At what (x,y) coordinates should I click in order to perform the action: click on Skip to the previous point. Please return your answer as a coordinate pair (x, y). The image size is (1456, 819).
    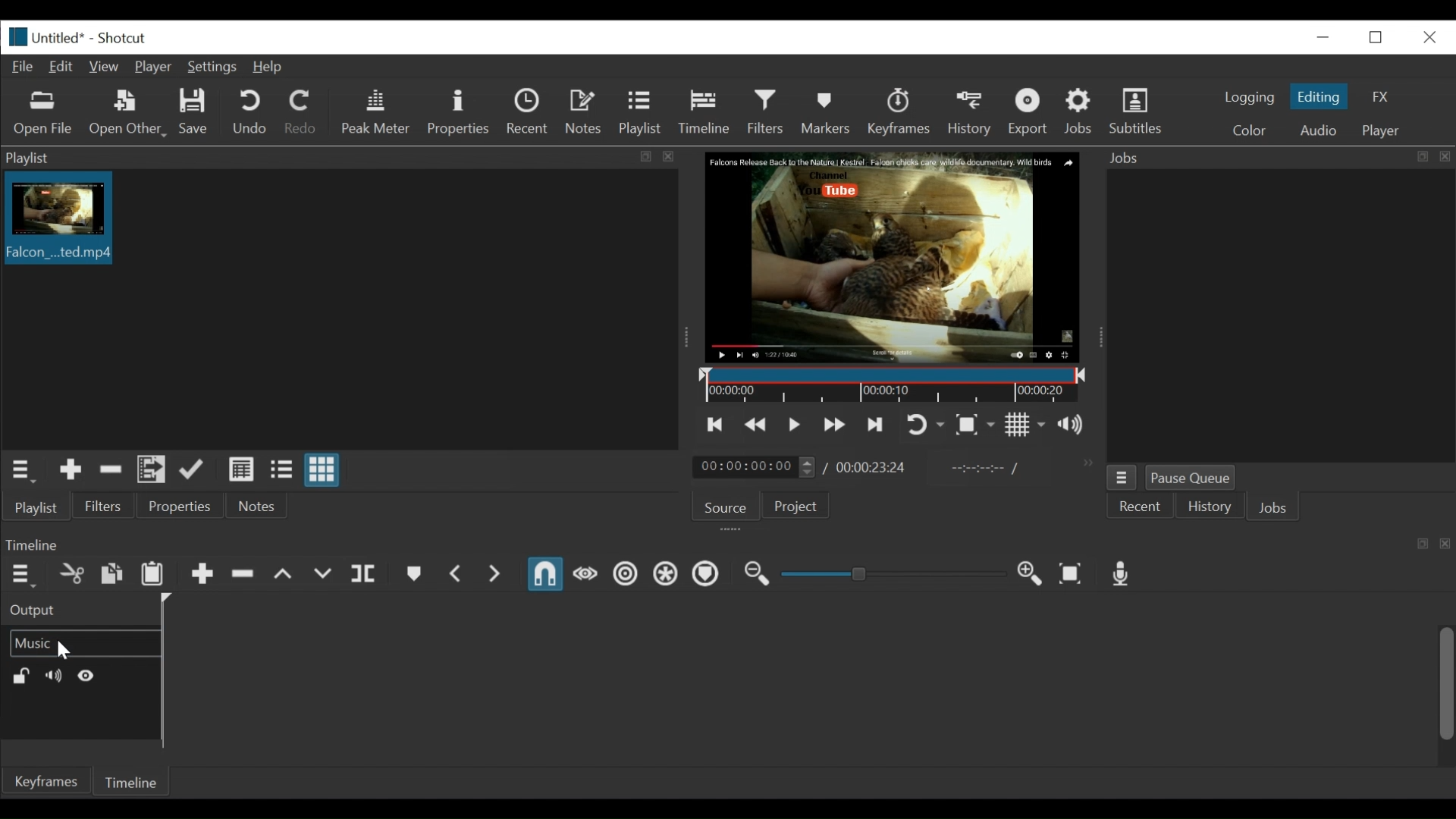
    Looking at the image, I should click on (716, 425).